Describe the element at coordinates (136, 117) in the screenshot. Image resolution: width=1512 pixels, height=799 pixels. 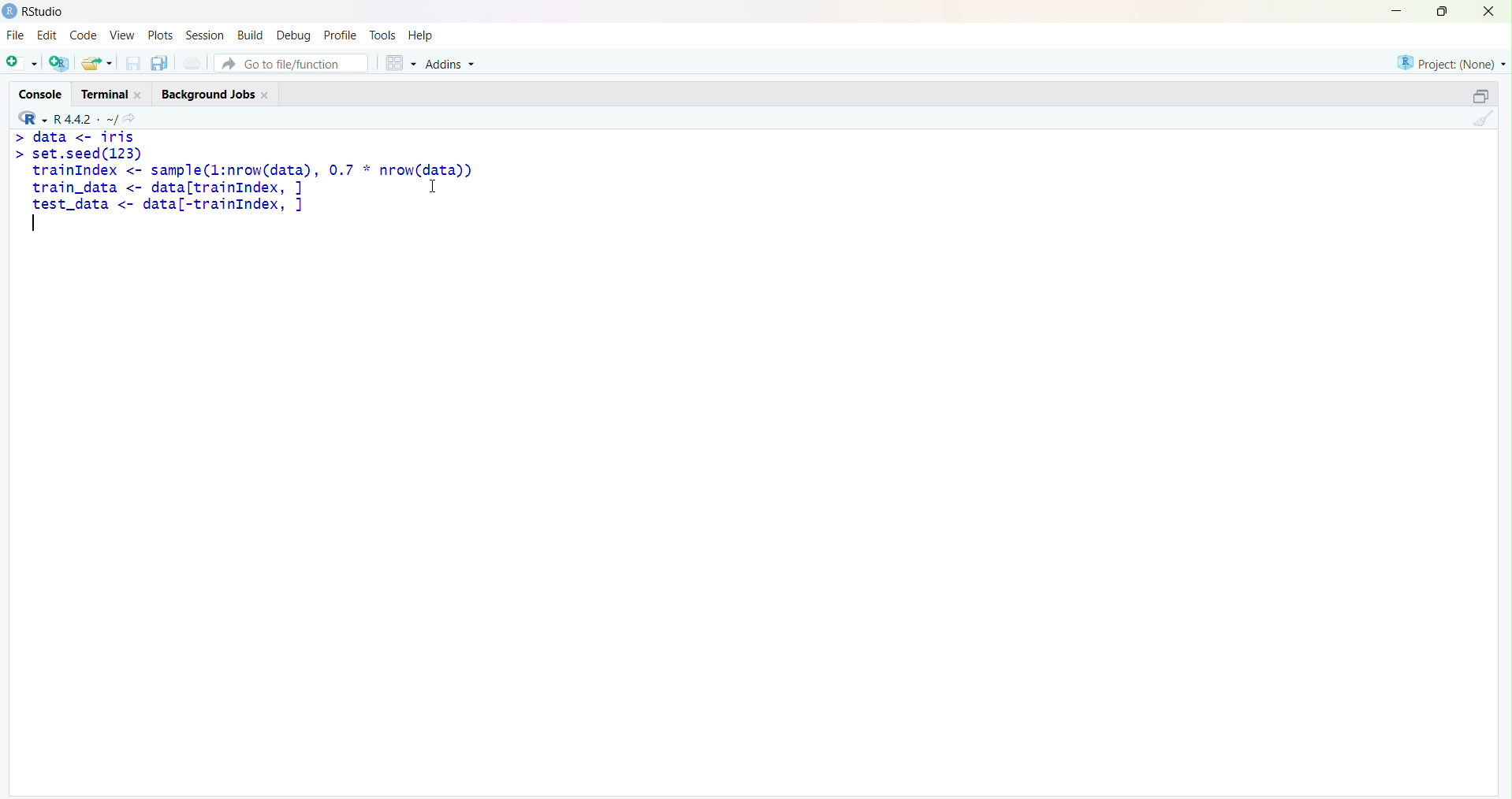
I see `View the current working directory` at that location.